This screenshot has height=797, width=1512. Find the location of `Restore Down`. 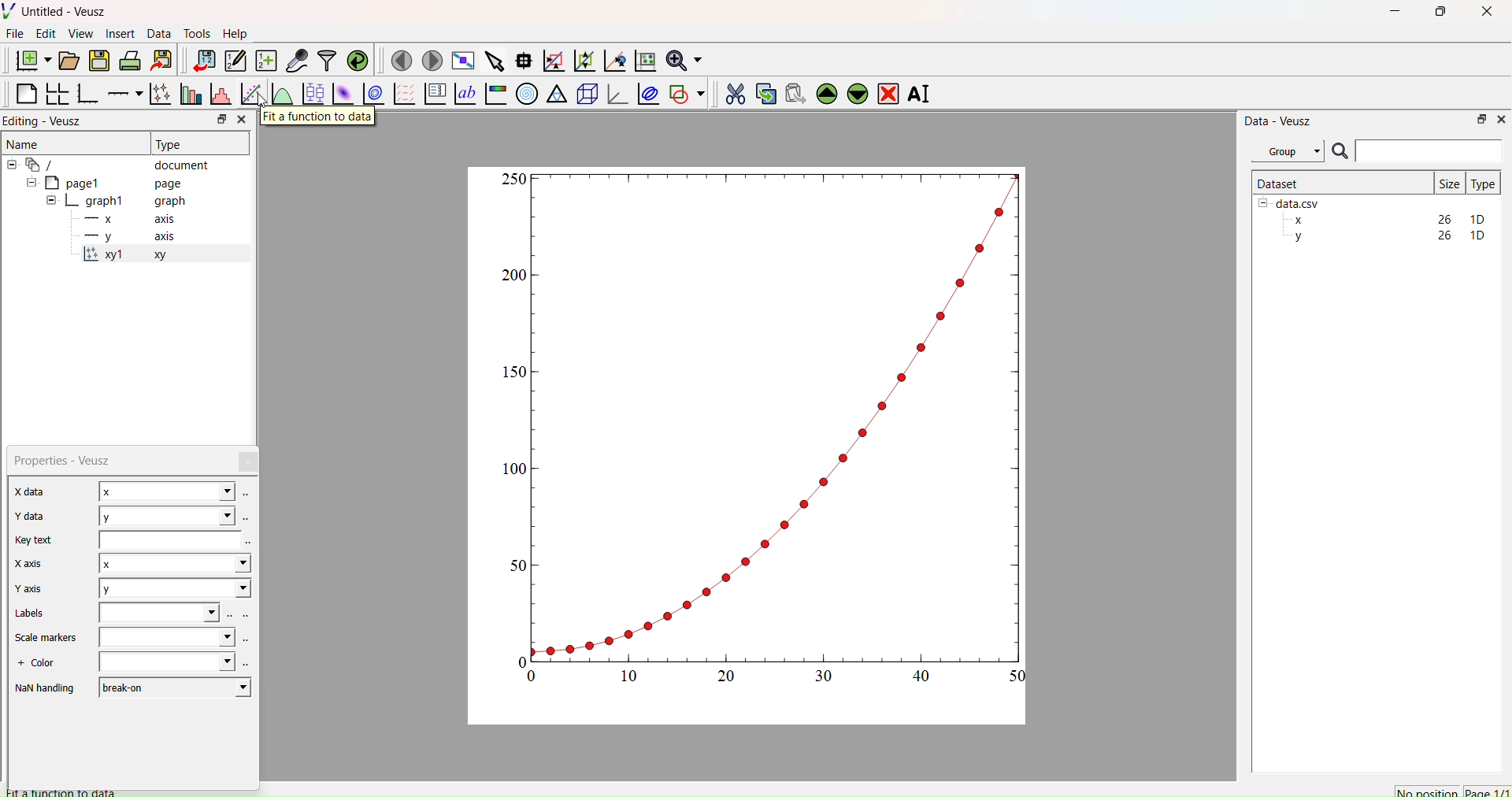

Restore Down is located at coordinates (1477, 118).